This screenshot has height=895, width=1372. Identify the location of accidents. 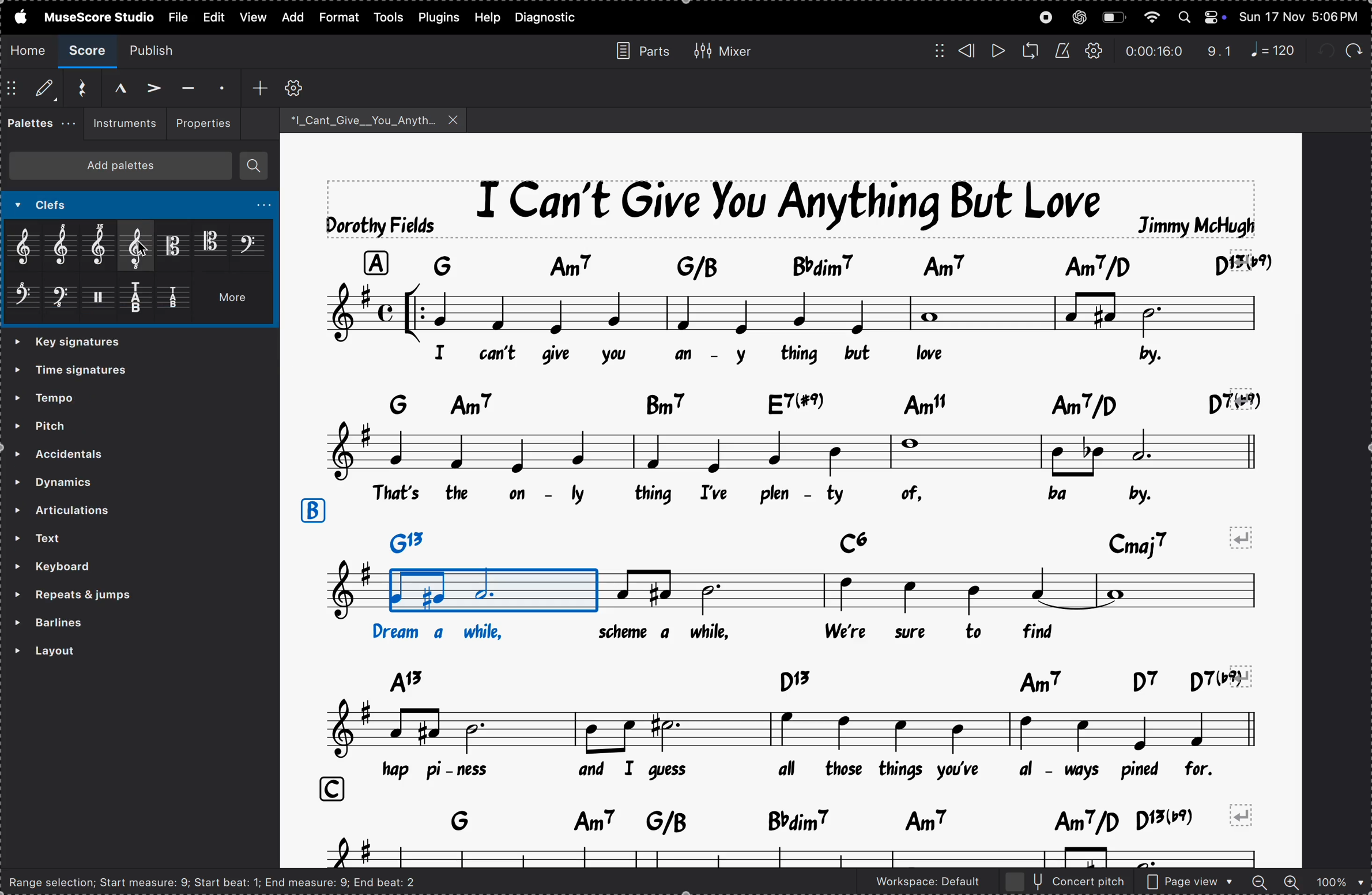
(85, 452).